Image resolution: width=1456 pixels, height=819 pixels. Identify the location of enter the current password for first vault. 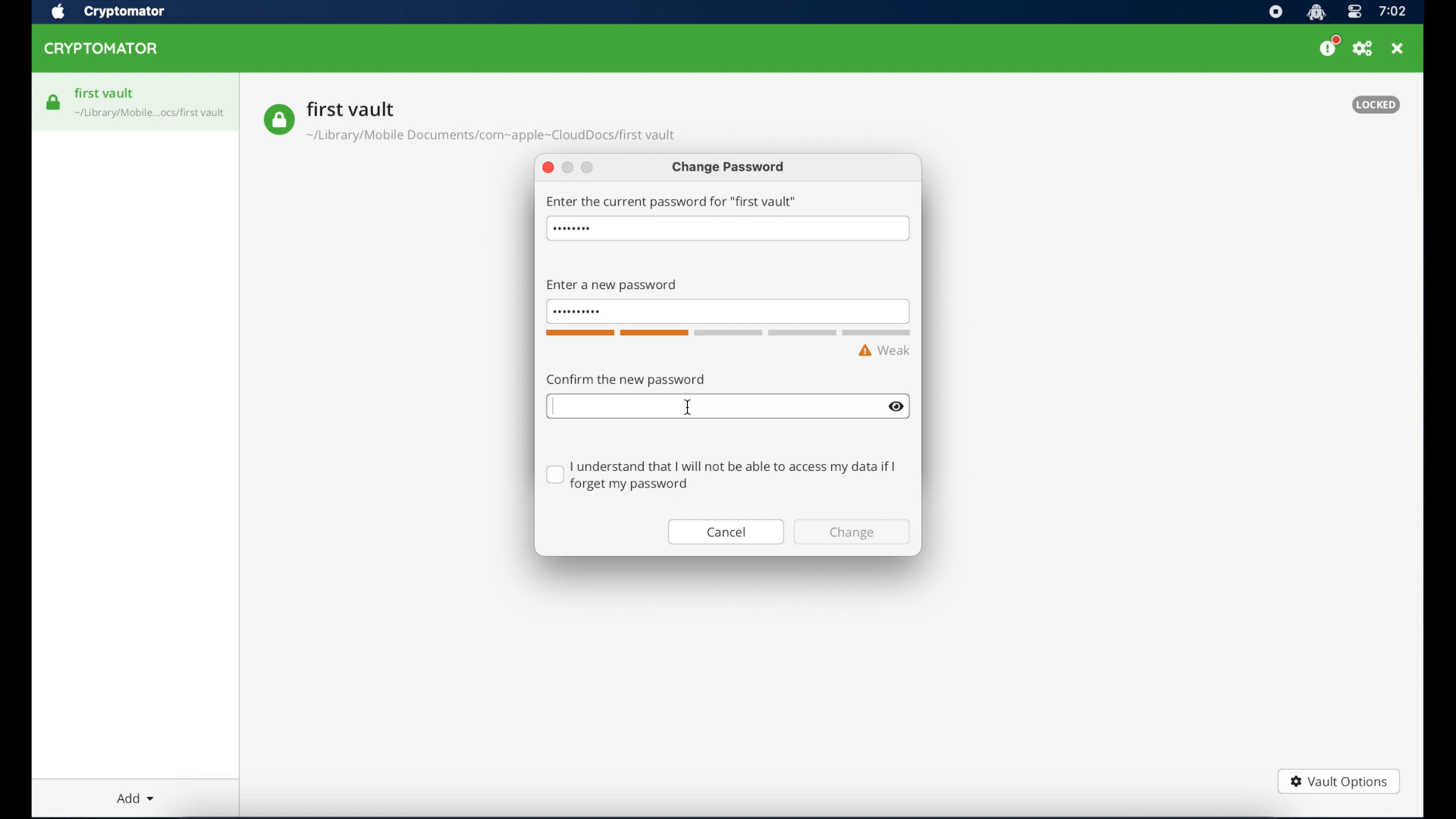
(671, 201).